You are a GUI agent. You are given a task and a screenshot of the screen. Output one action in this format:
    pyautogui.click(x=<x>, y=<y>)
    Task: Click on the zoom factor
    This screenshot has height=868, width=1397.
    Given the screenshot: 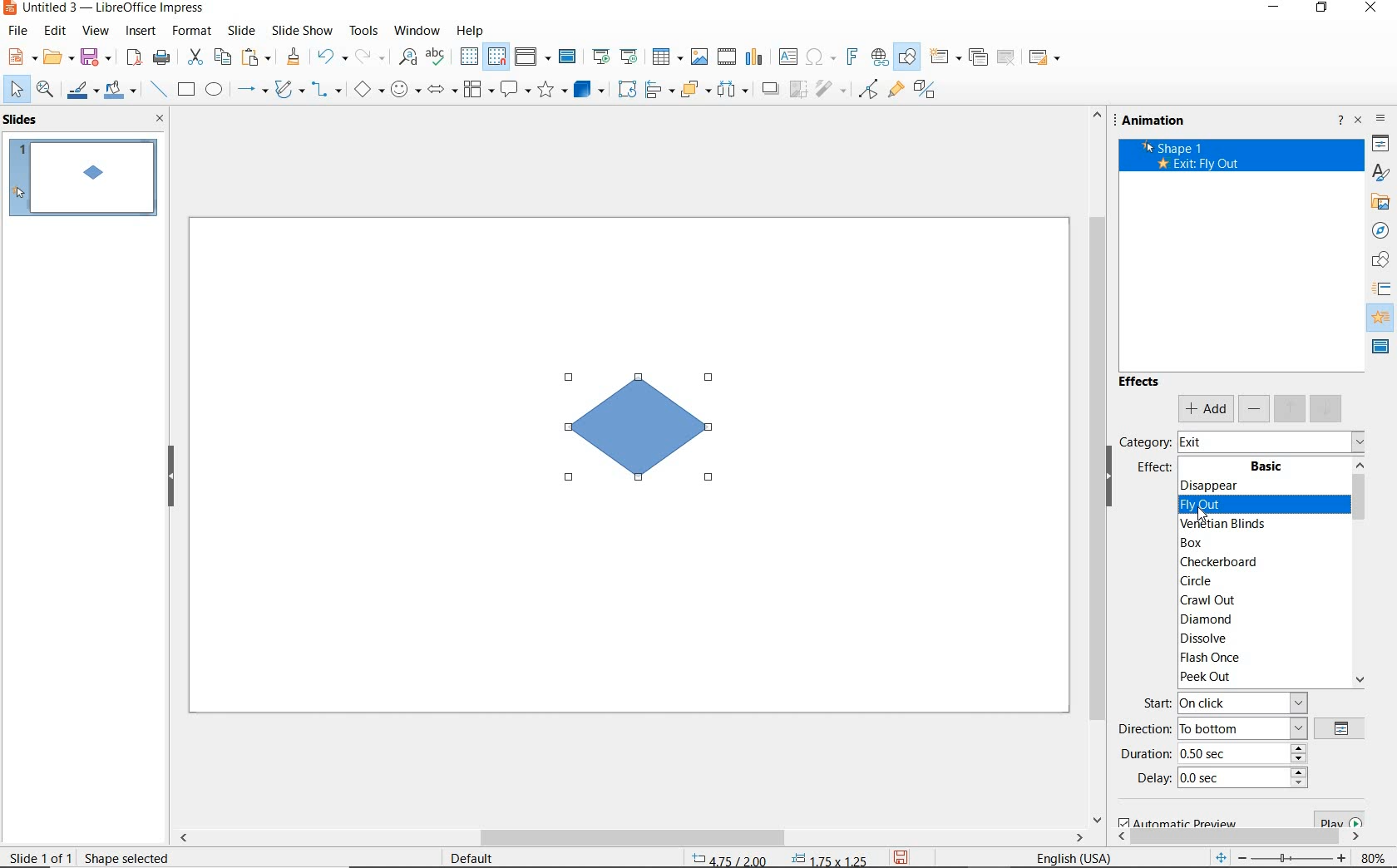 What is the action you would take?
    pyautogui.click(x=1372, y=856)
    